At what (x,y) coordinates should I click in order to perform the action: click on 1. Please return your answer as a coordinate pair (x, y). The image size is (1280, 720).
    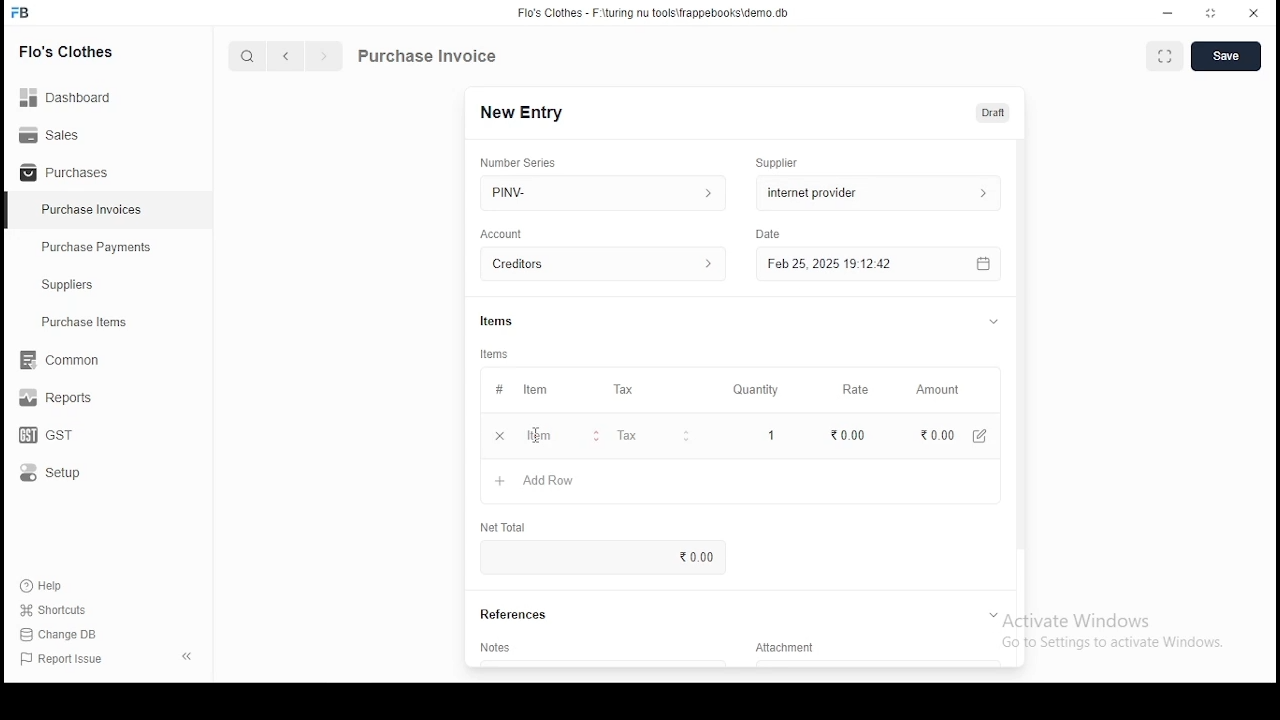
    Looking at the image, I should click on (774, 435).